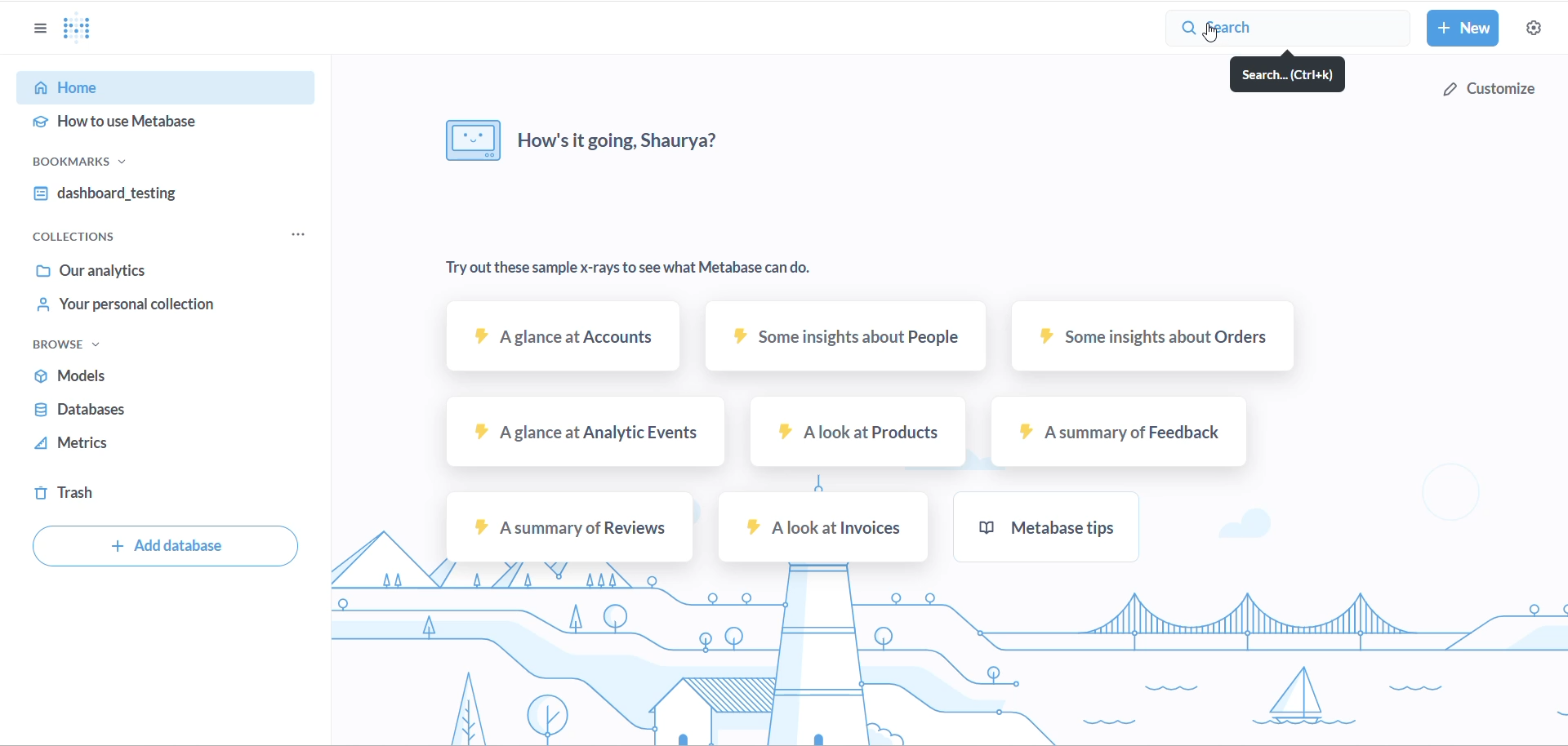  Describe the element at coordinates (161, 89) in the screenshot. I see `home` at that location.